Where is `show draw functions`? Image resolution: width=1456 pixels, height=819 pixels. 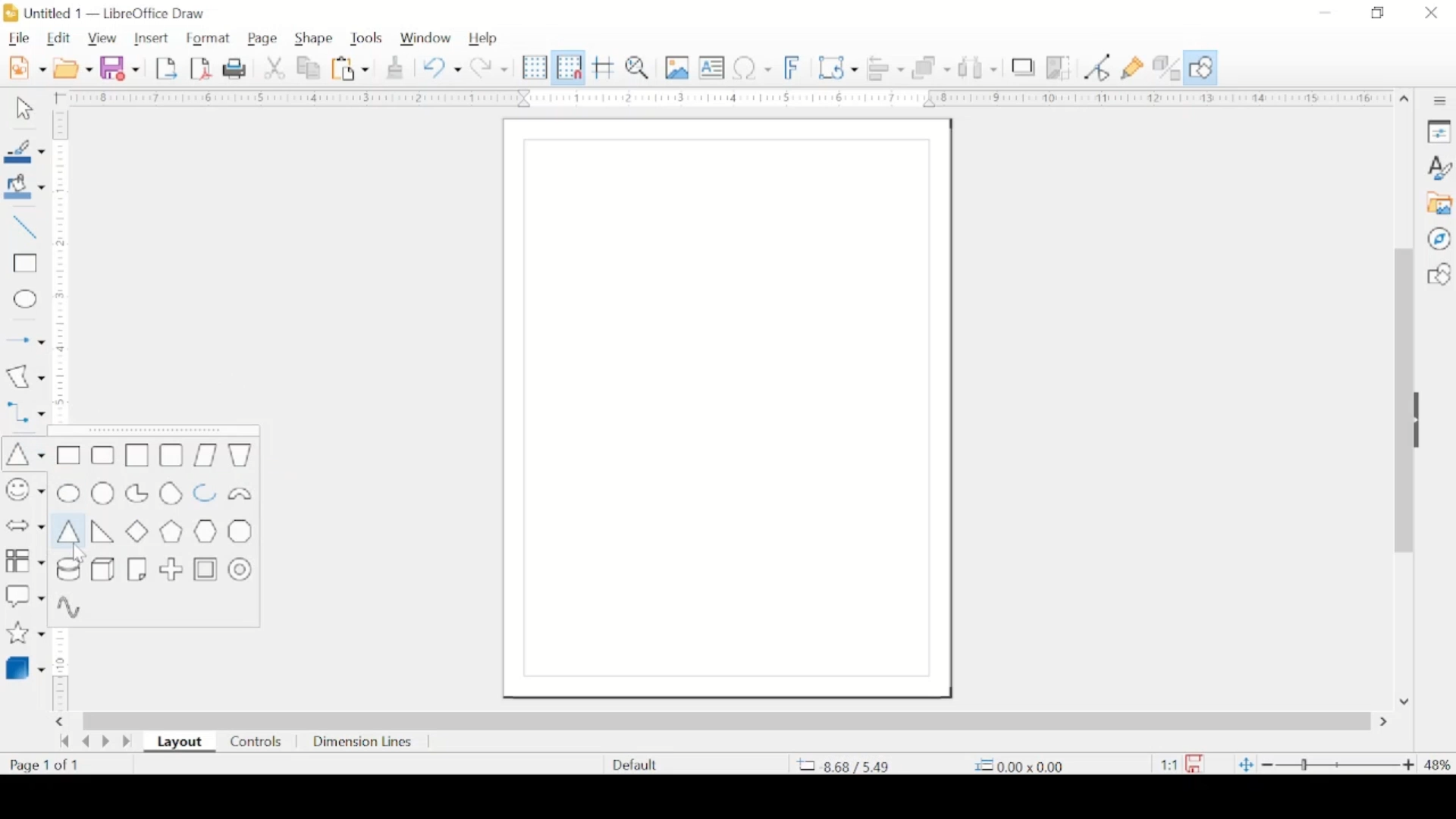 show draw functions is located at coordinates (1203, 67).